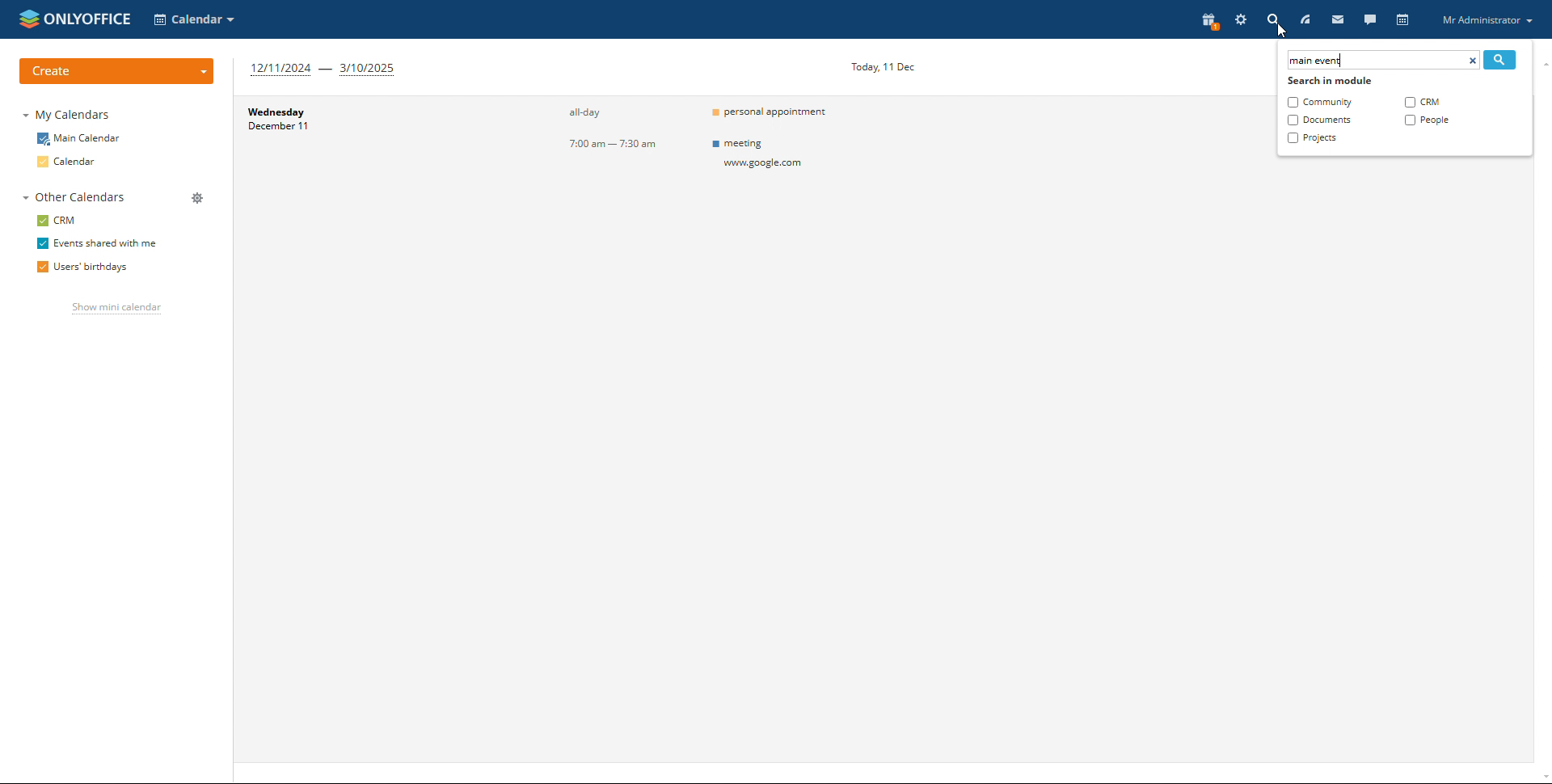 This screenshot has height=784, width=1552. What do you see at coordinates (118, 71) in the screenshot?
I see `create` at bounding box center [118, 71].